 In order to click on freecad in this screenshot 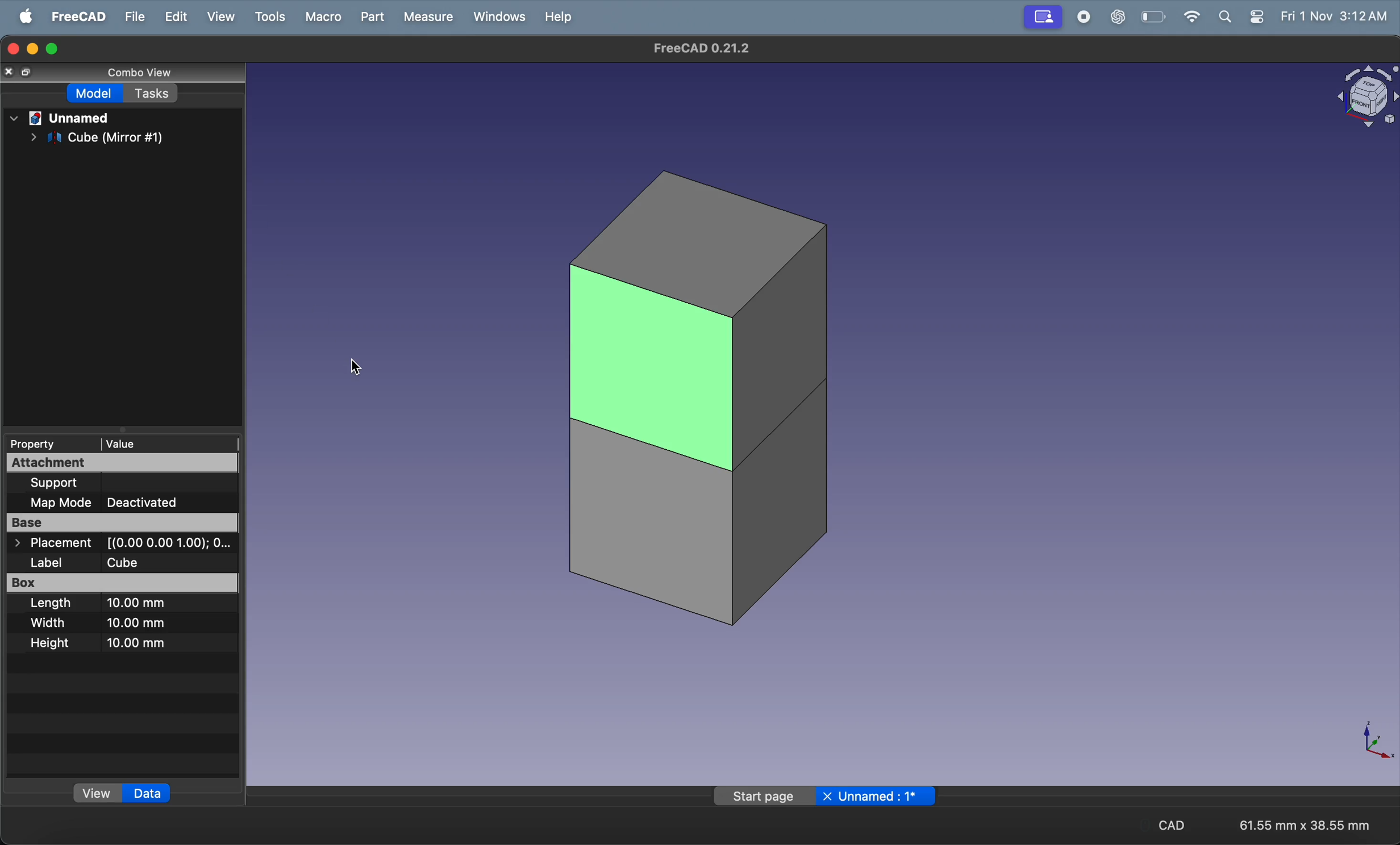, I will do `click(77, 16)`.